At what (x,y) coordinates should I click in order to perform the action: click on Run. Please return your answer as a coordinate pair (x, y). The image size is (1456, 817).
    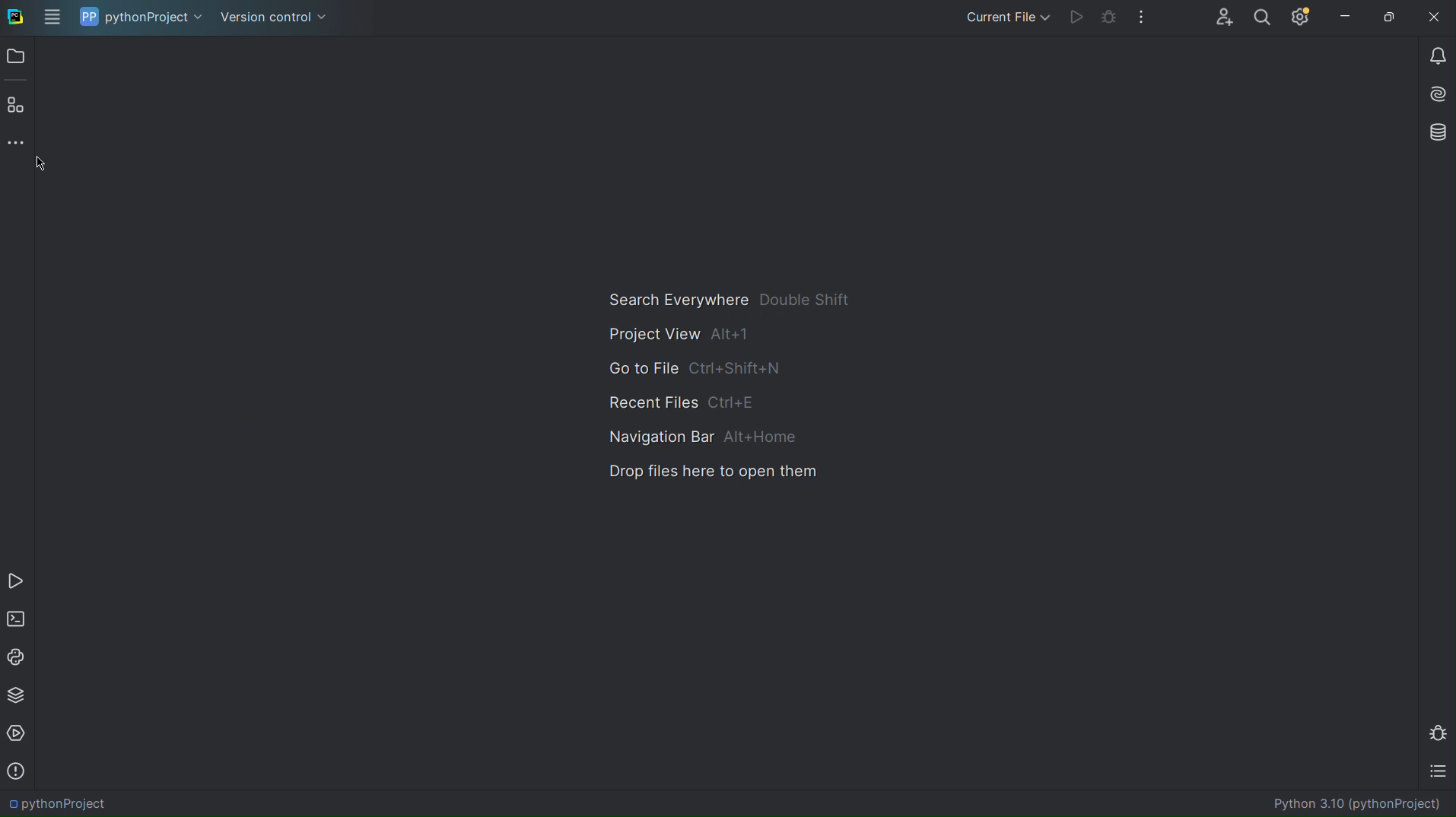
    Looking at the image, I should click on (1076, 19).